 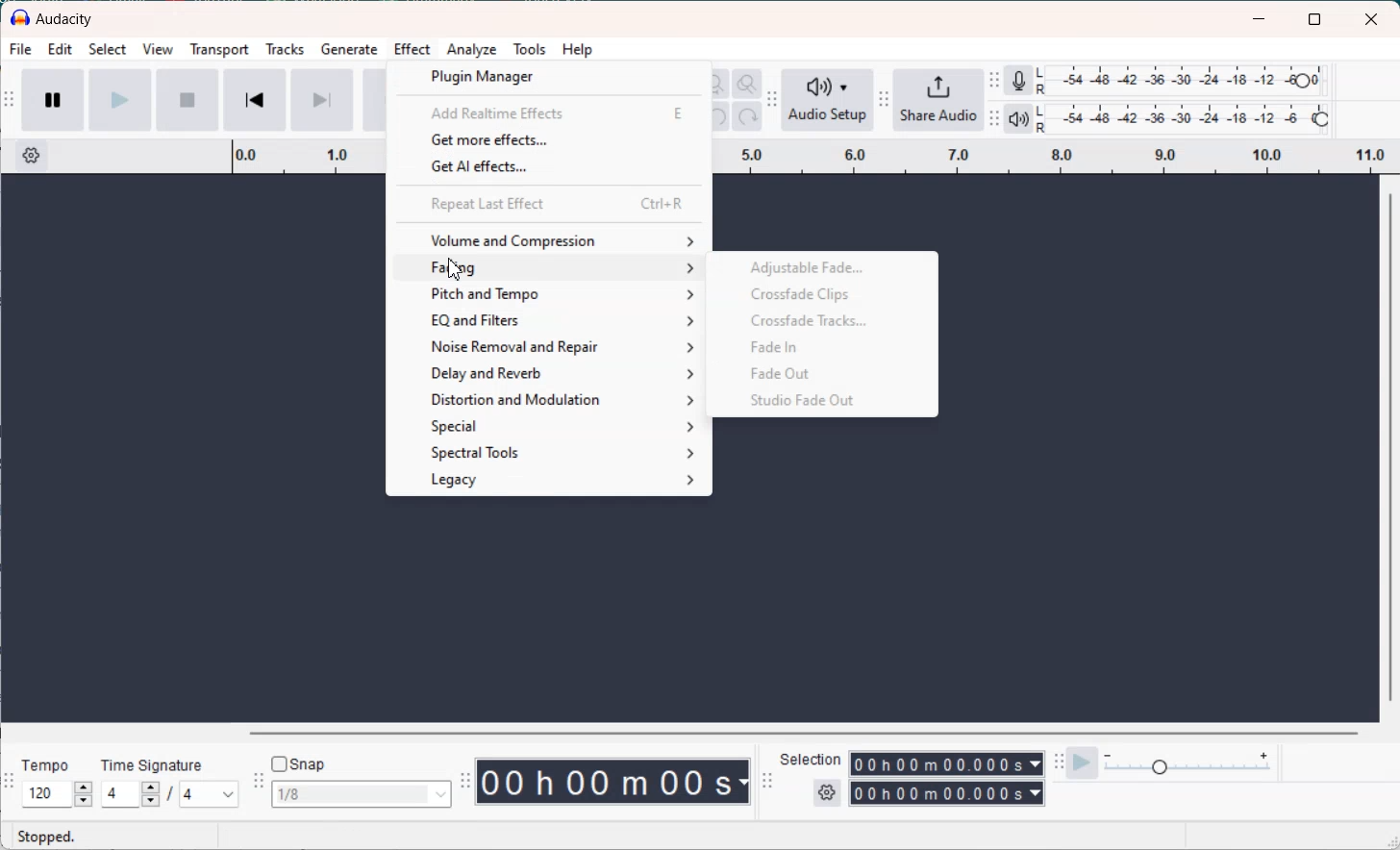 I want to click on Crossfade tracks, so click(x=820, y=322).